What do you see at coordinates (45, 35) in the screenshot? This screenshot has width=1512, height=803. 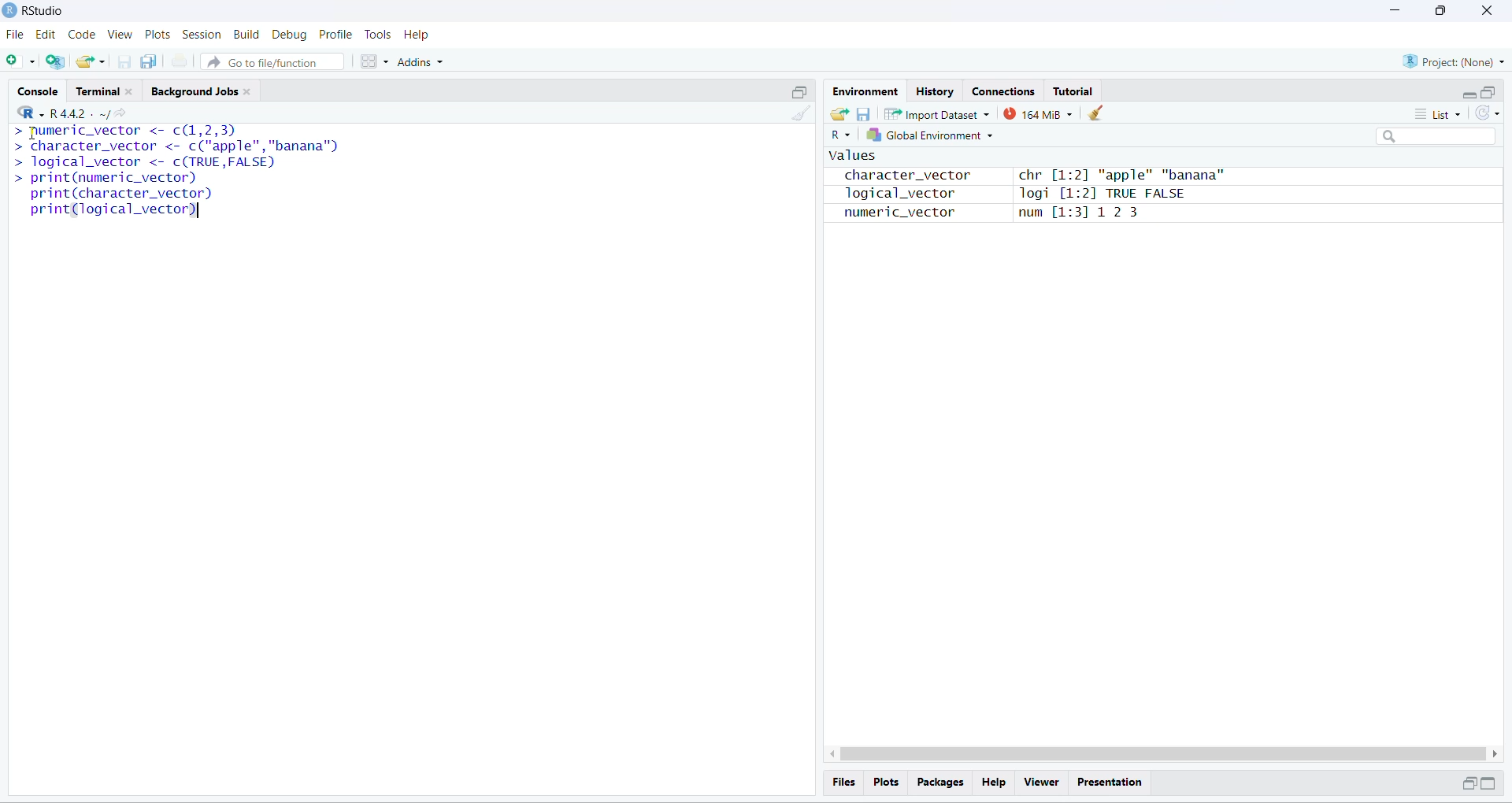 I see `edit` at bounding box center [45, 35].